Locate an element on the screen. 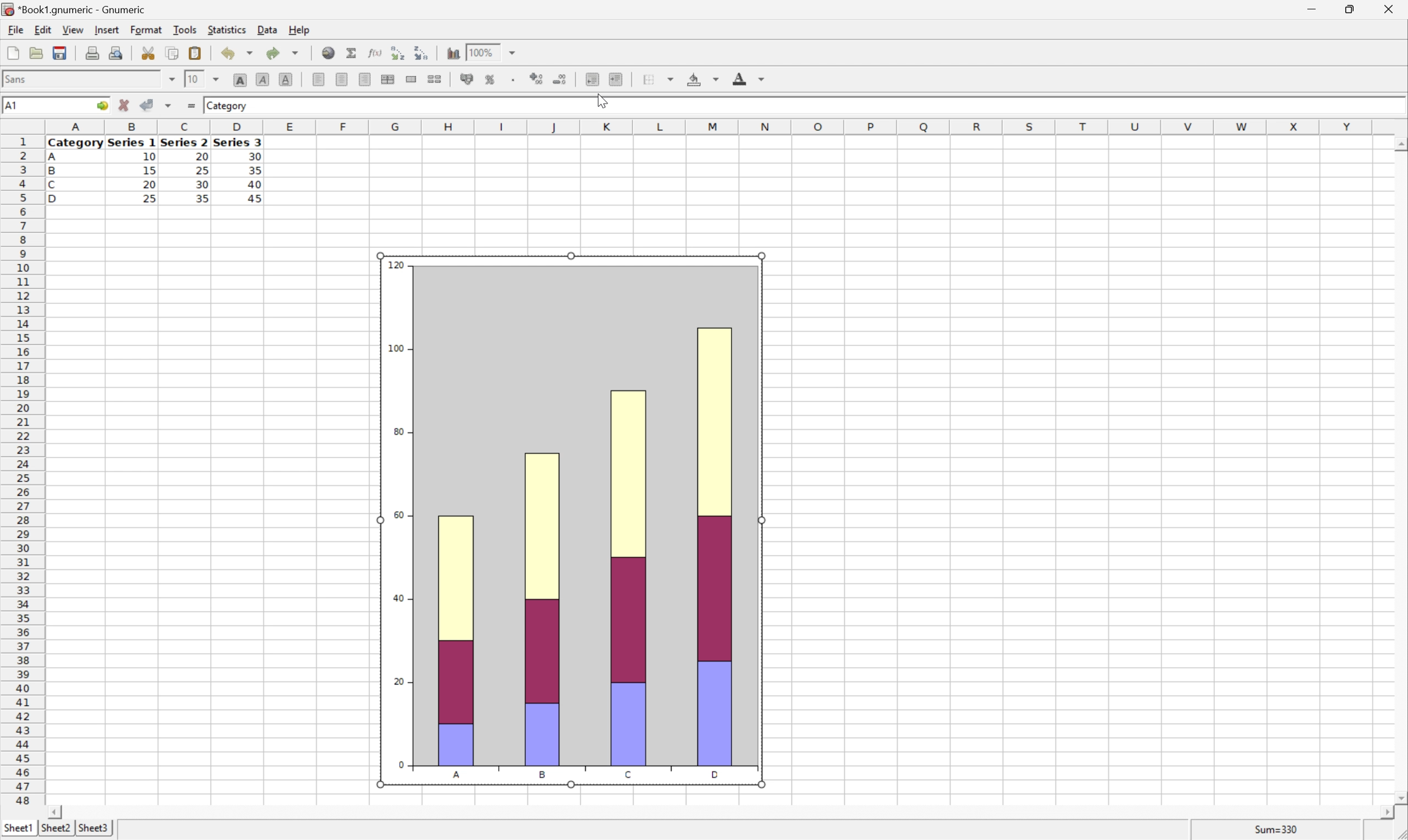 The height and width of the screenshot is (840, 1408). Series 2 is located at coordinates (183, 142).